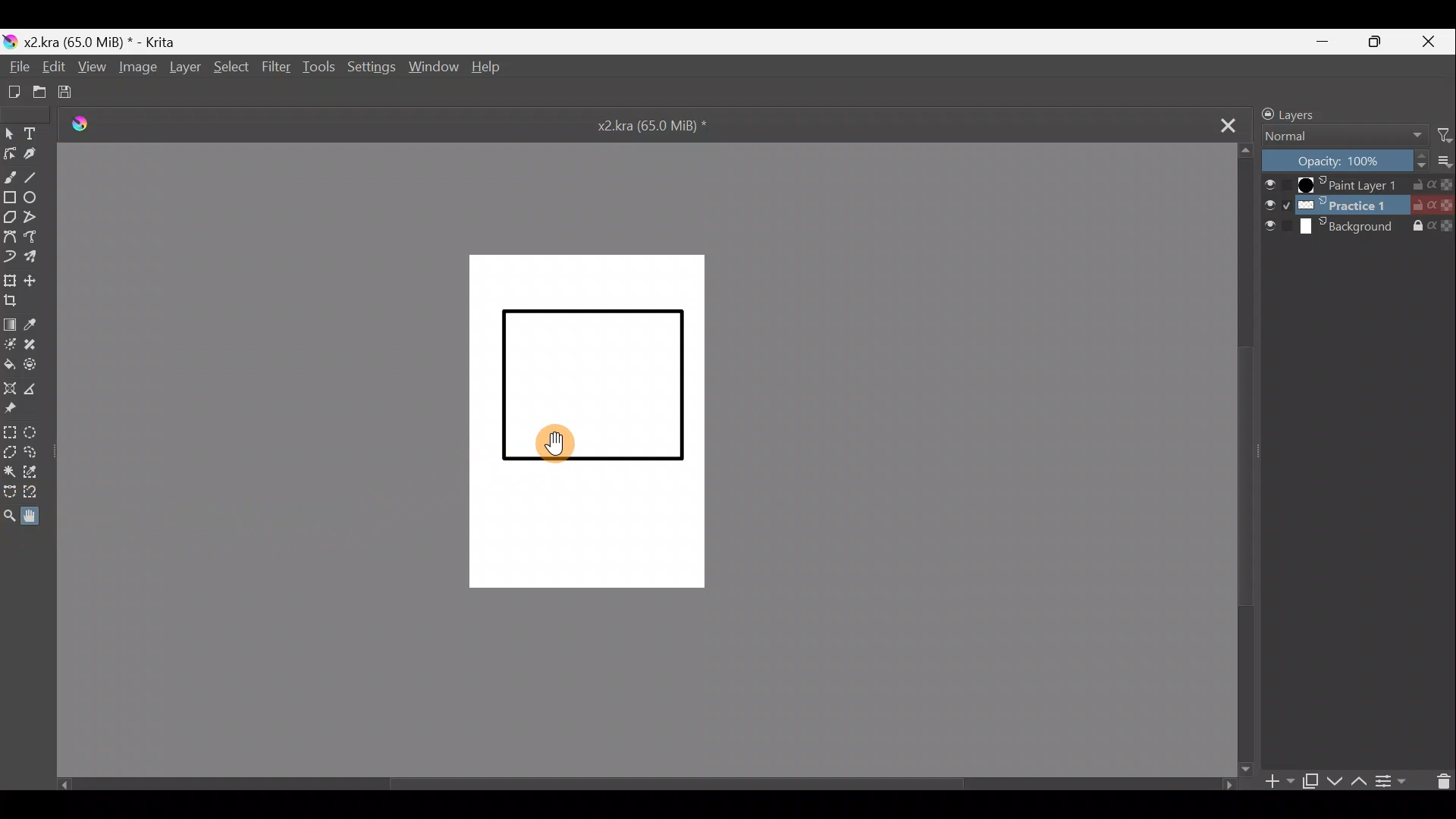 Image resolution: width=1456 pixels, height=819 pixels. What do you see at coordinates (1263, 113) in the screenshot?
I see `Lock/unlock docker` at bounding box center [1263, 113].